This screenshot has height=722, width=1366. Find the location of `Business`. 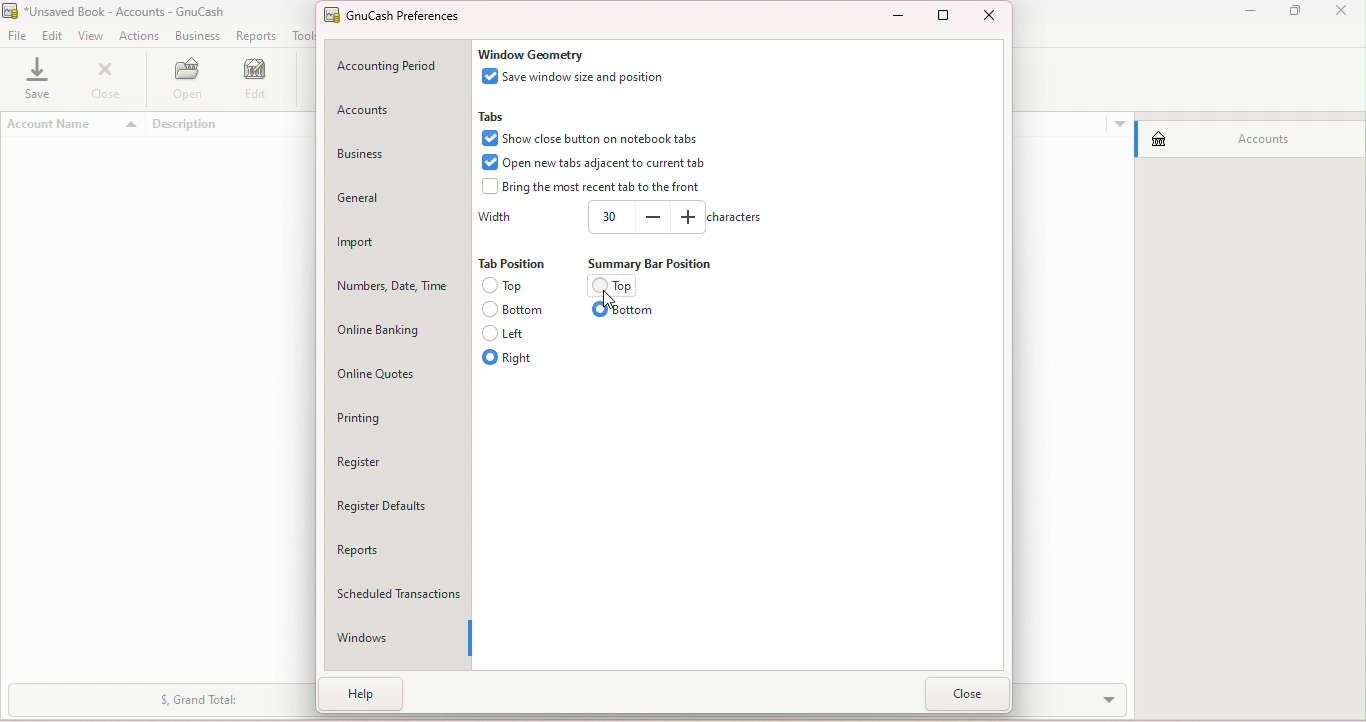

Business is located at coordinates (194, 36).